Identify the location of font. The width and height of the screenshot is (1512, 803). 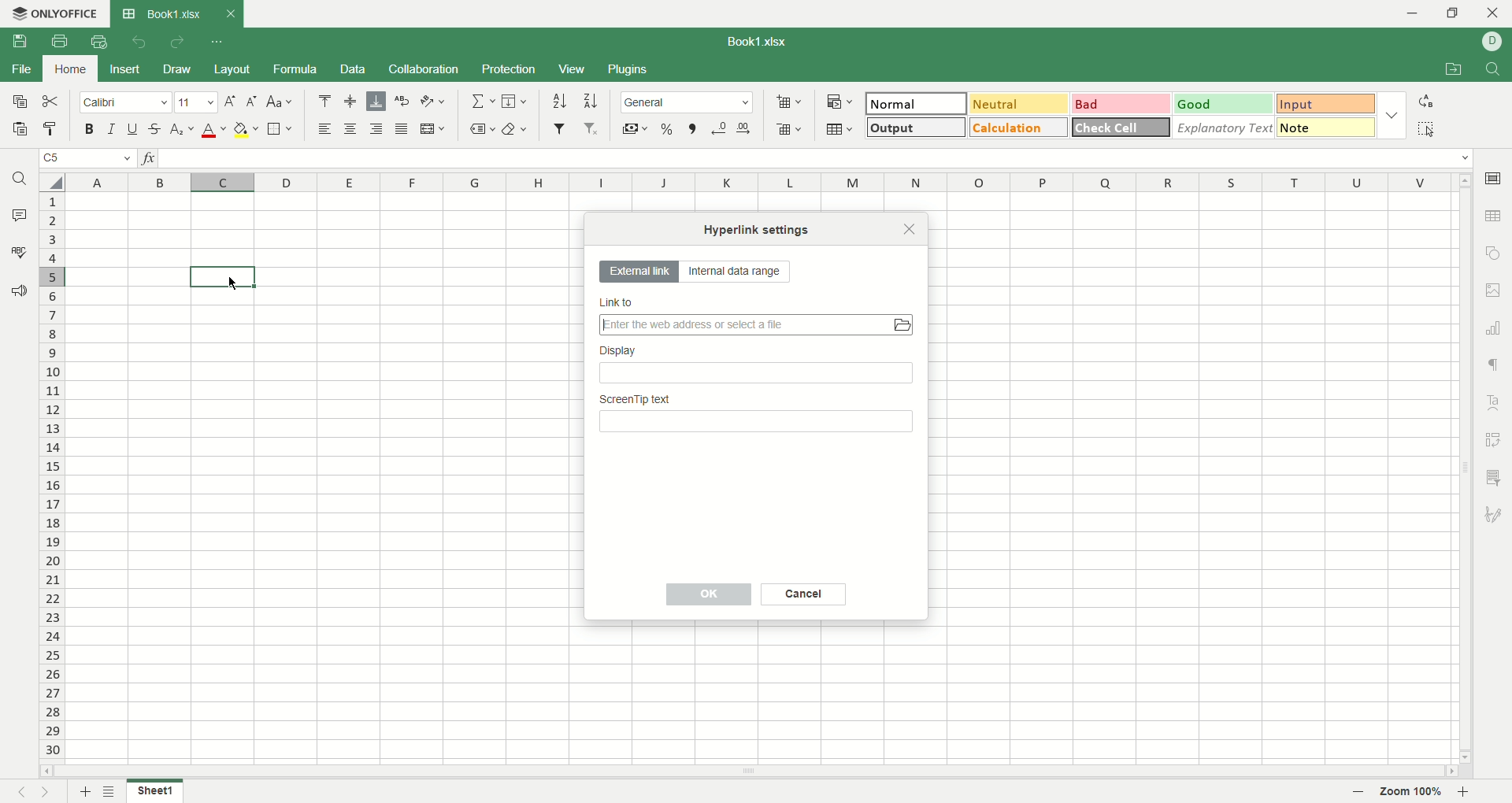
(125, 104).